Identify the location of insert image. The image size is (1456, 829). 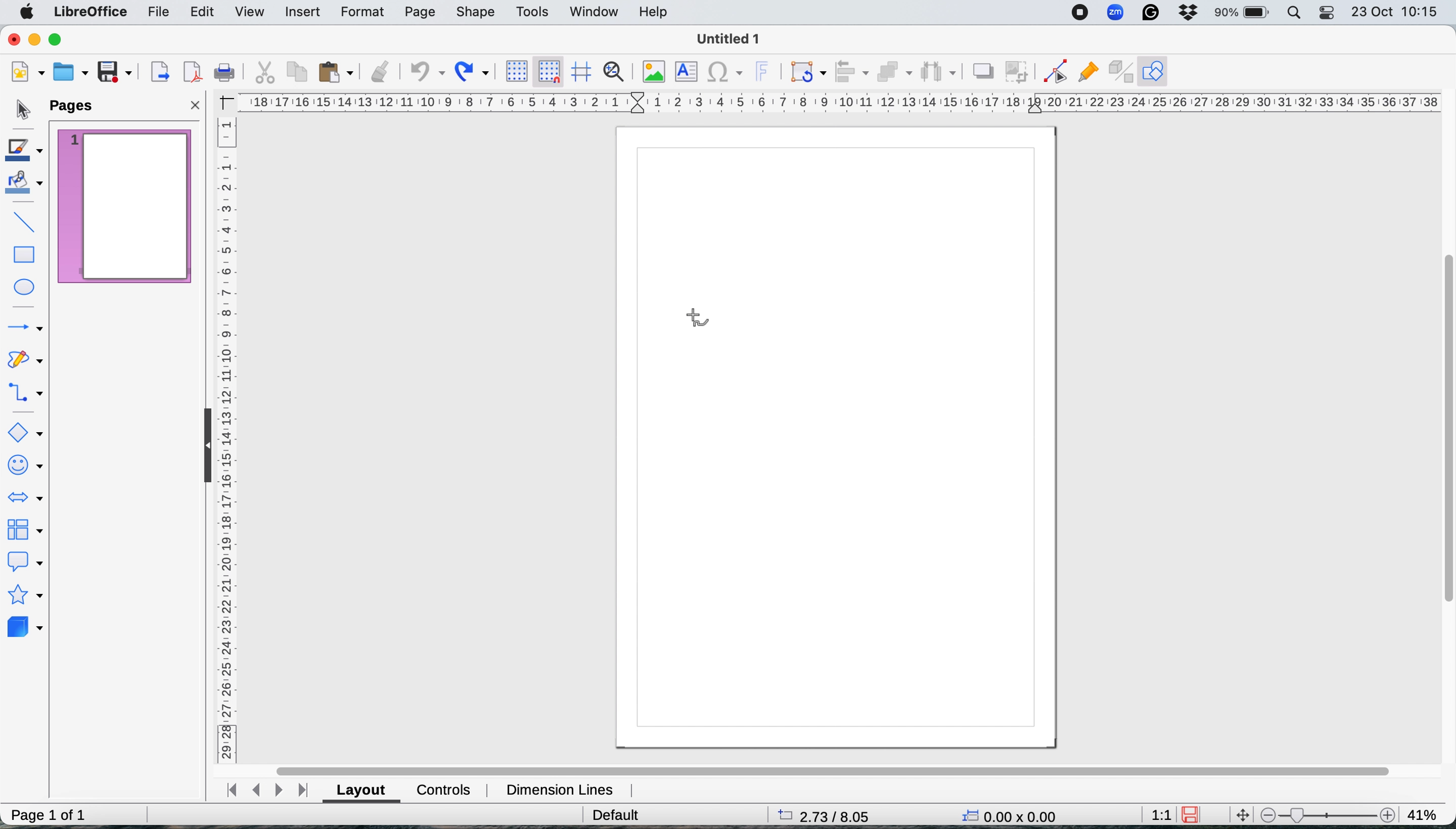
(657, 73).